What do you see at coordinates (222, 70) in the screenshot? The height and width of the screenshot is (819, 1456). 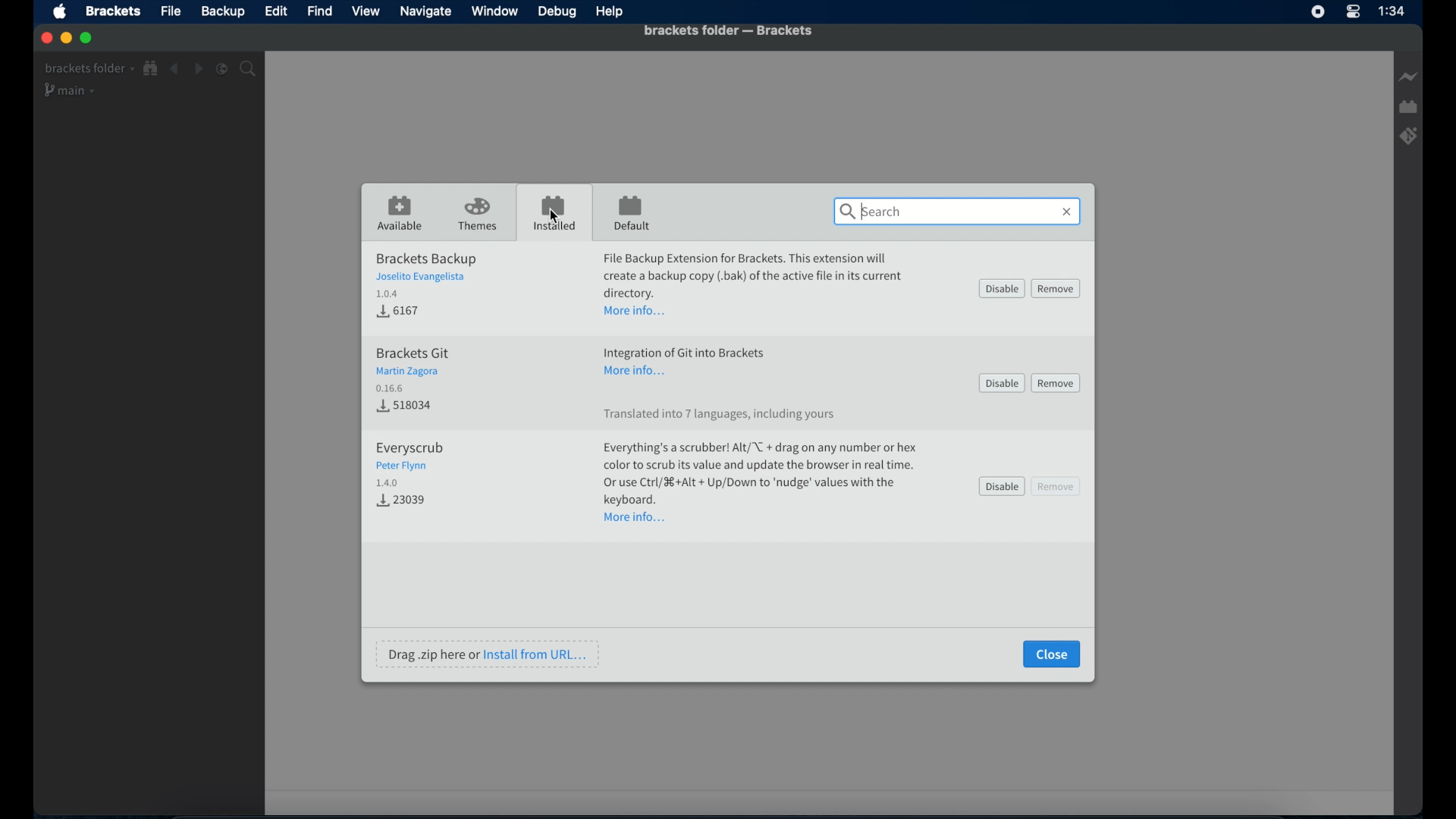 I see `Split editor vertical or horizontal` at bounding box center [222, 70].